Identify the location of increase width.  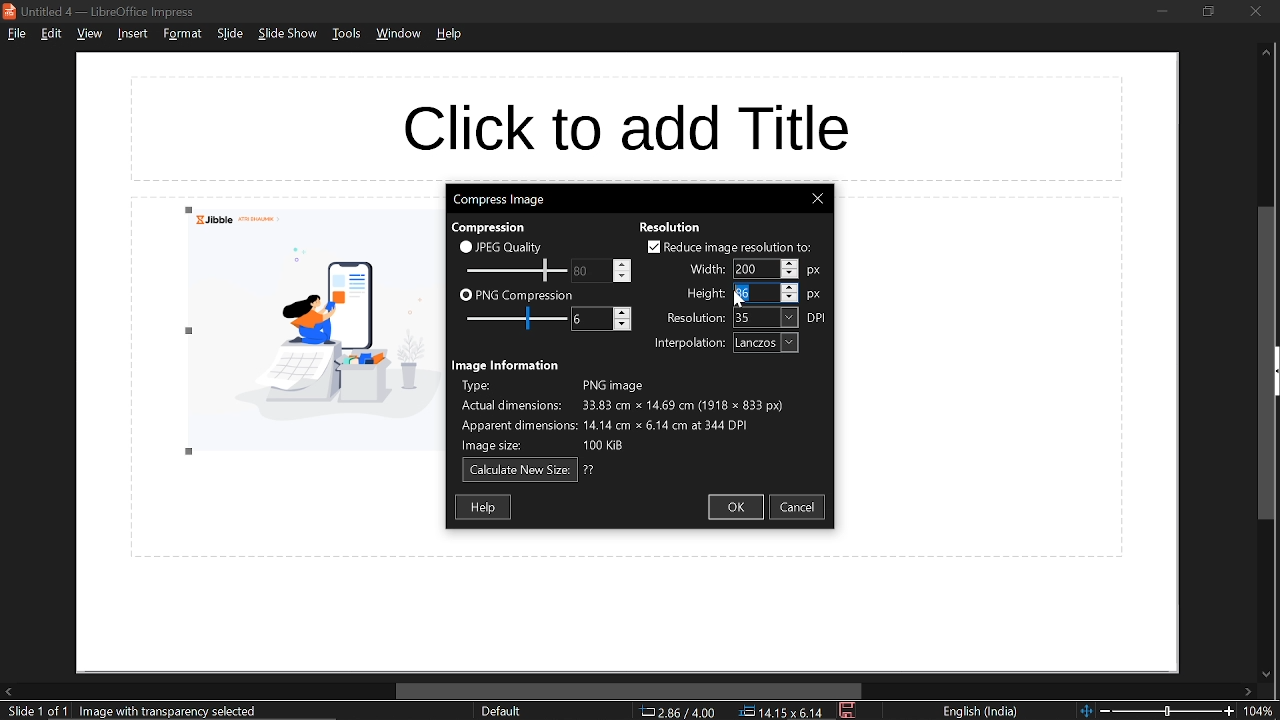
(789, 262).